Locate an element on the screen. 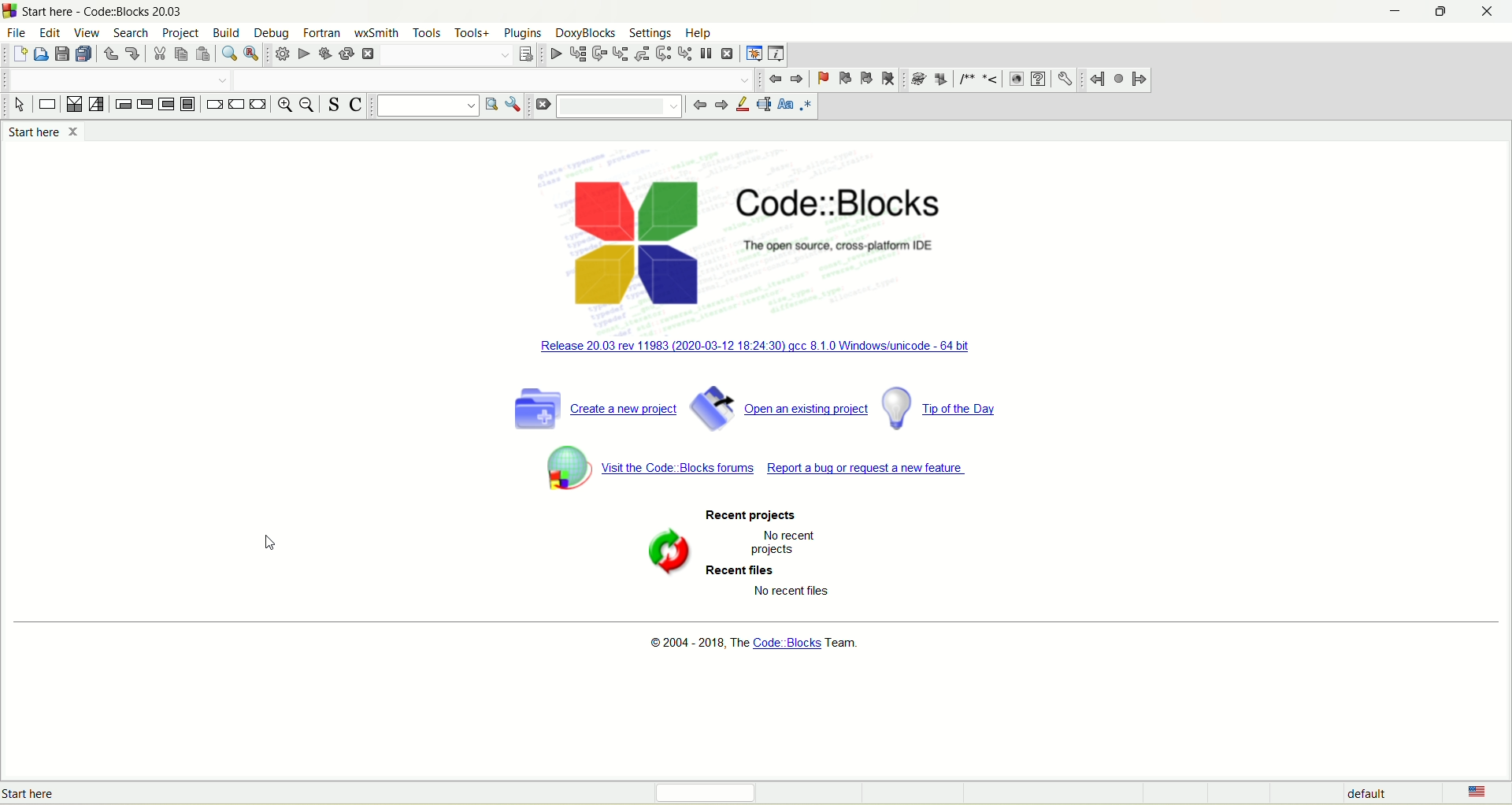 The width and height of the screenshot is (1512, 805). toggle bookmark is located at coordinates (821, 78).